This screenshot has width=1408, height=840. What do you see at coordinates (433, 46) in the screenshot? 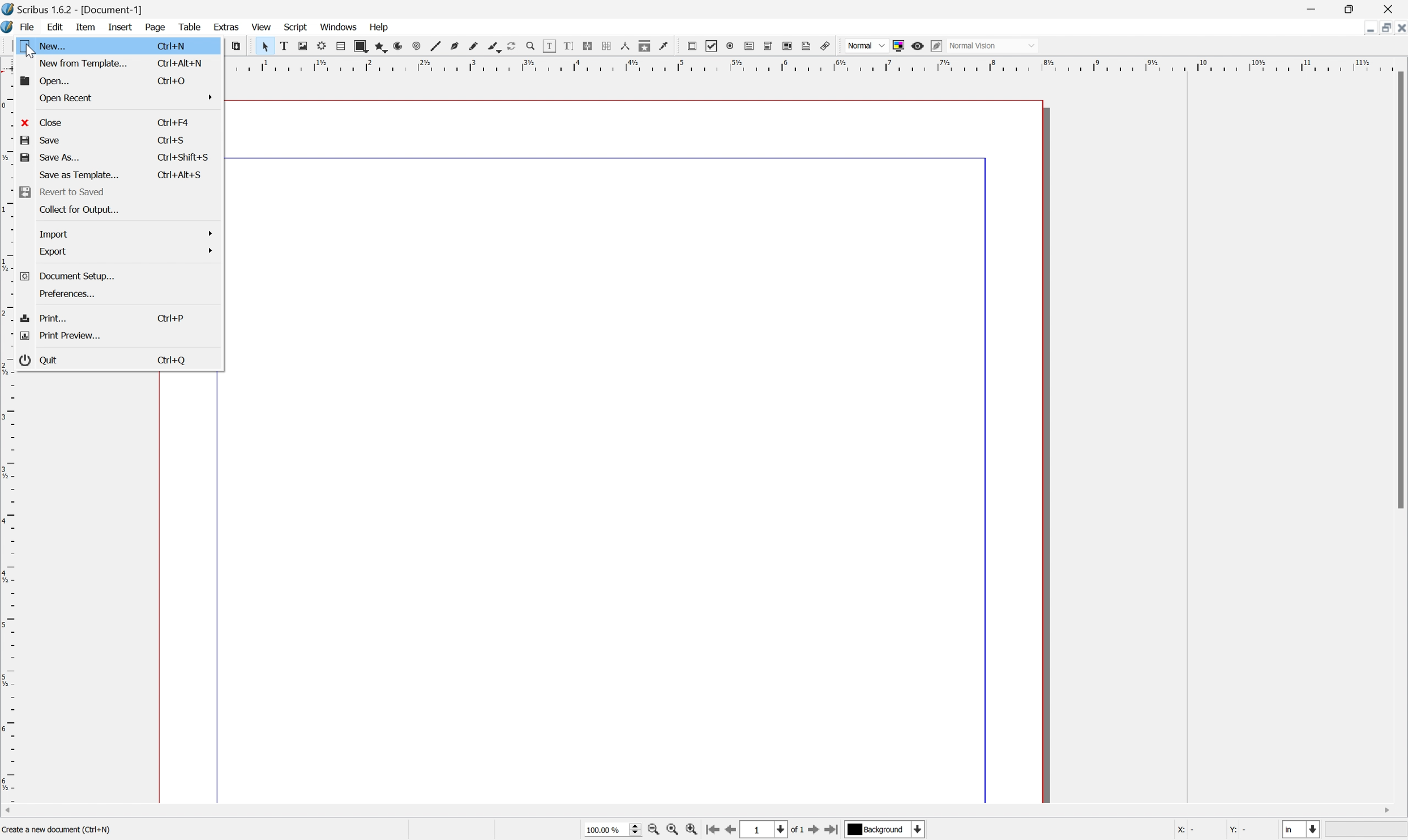
I see `Line` at bounding box center [433, 46].